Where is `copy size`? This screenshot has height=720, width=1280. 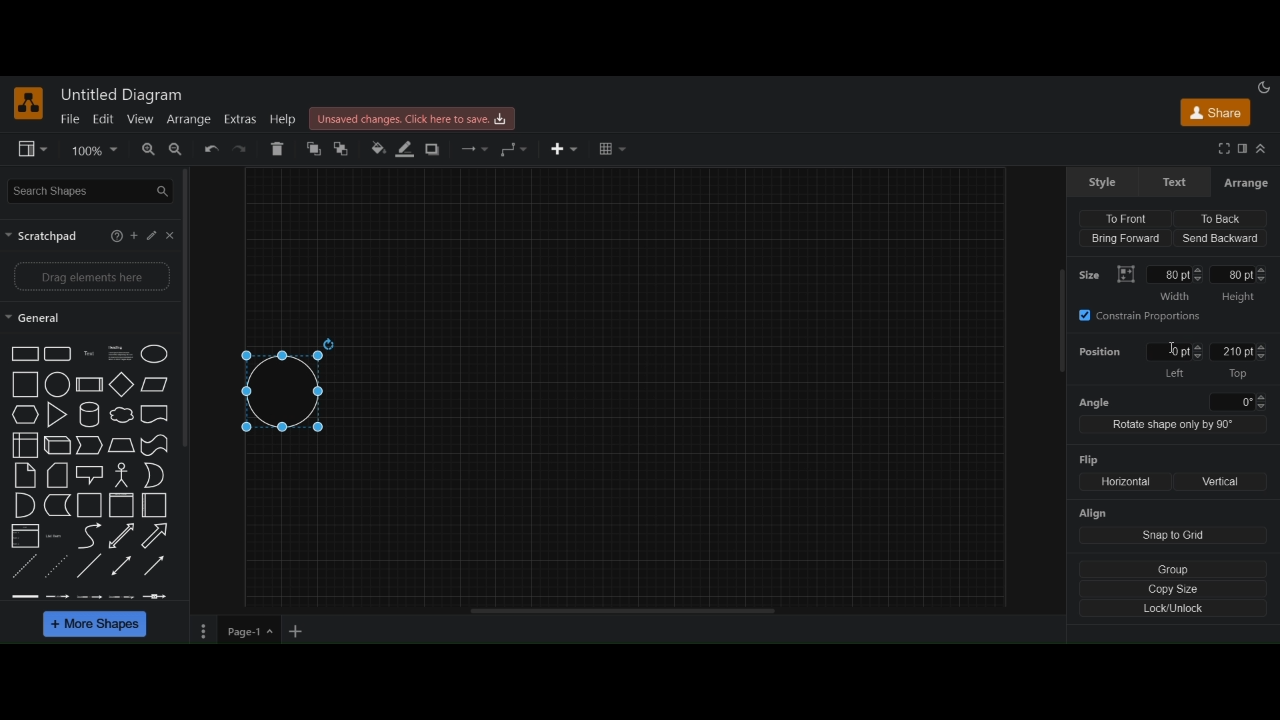 copy size is located at coordinates (1175, 588).